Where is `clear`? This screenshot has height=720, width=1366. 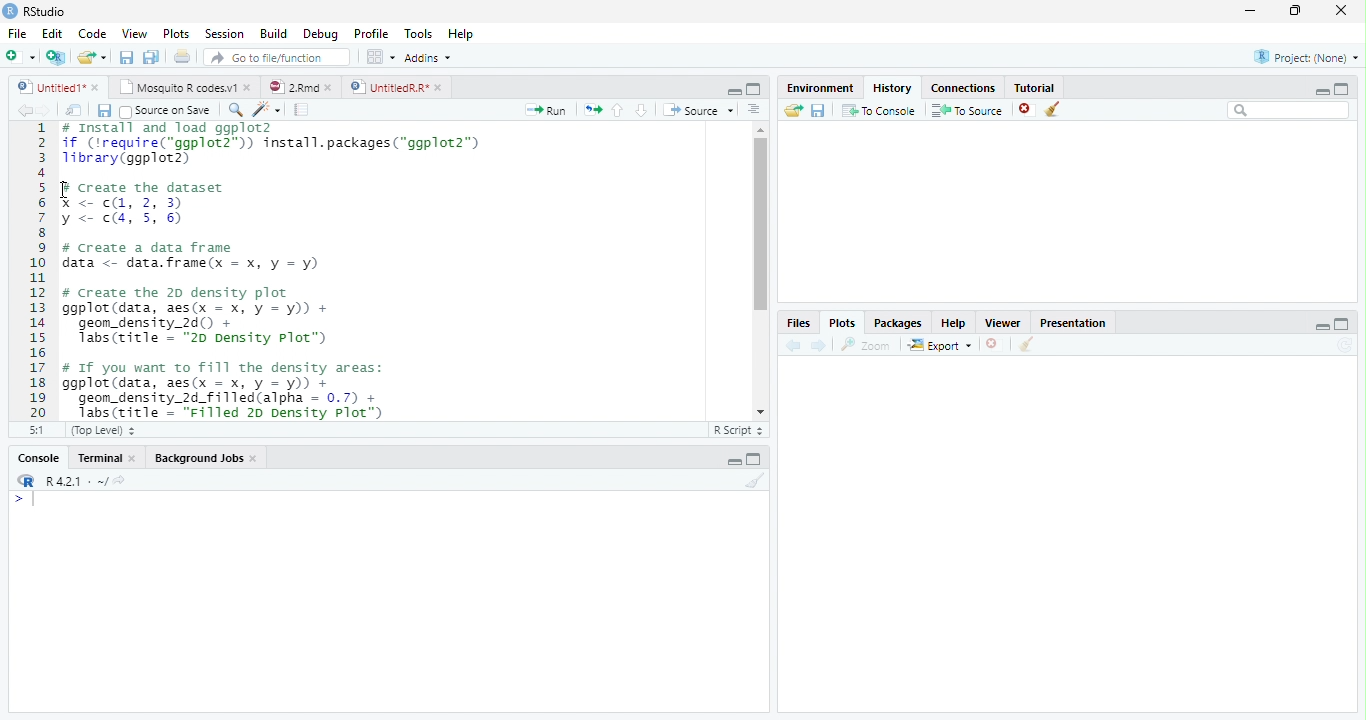
clear is located at coordinates (1026, 346).